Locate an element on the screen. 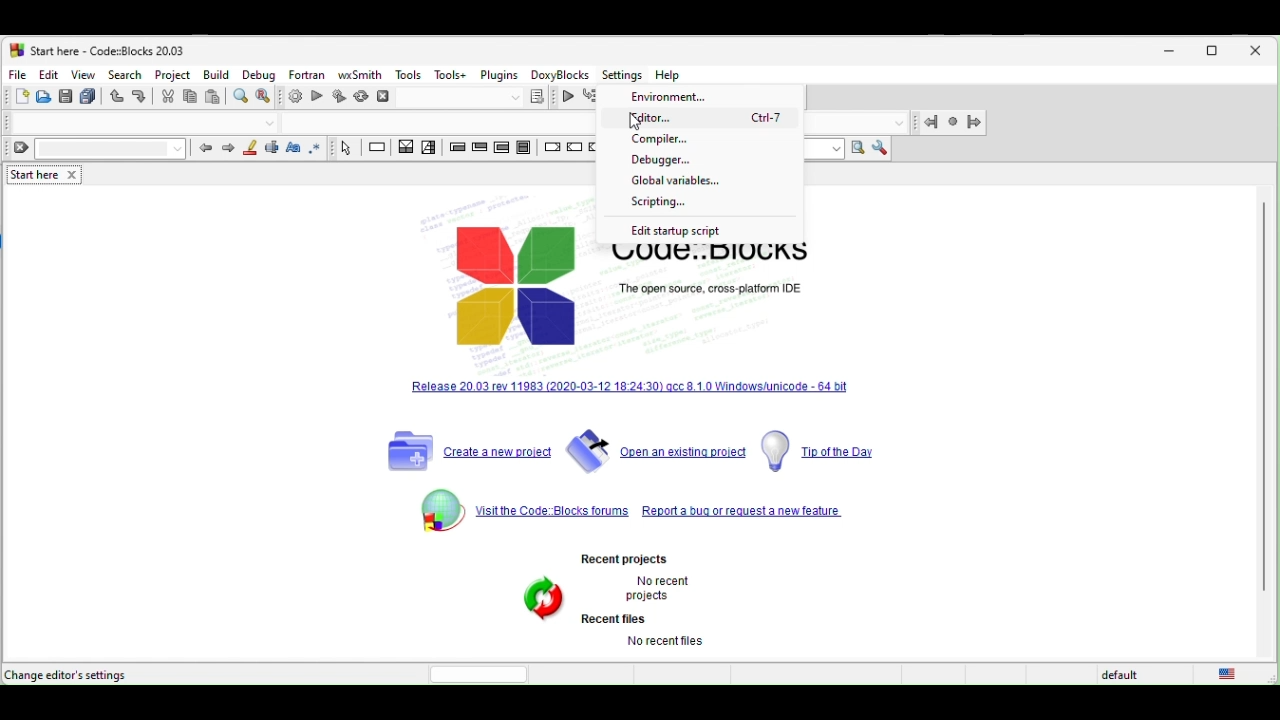 The height and width of the screenshot is (720, 1280). save everything is located at coordinates (90, 97).